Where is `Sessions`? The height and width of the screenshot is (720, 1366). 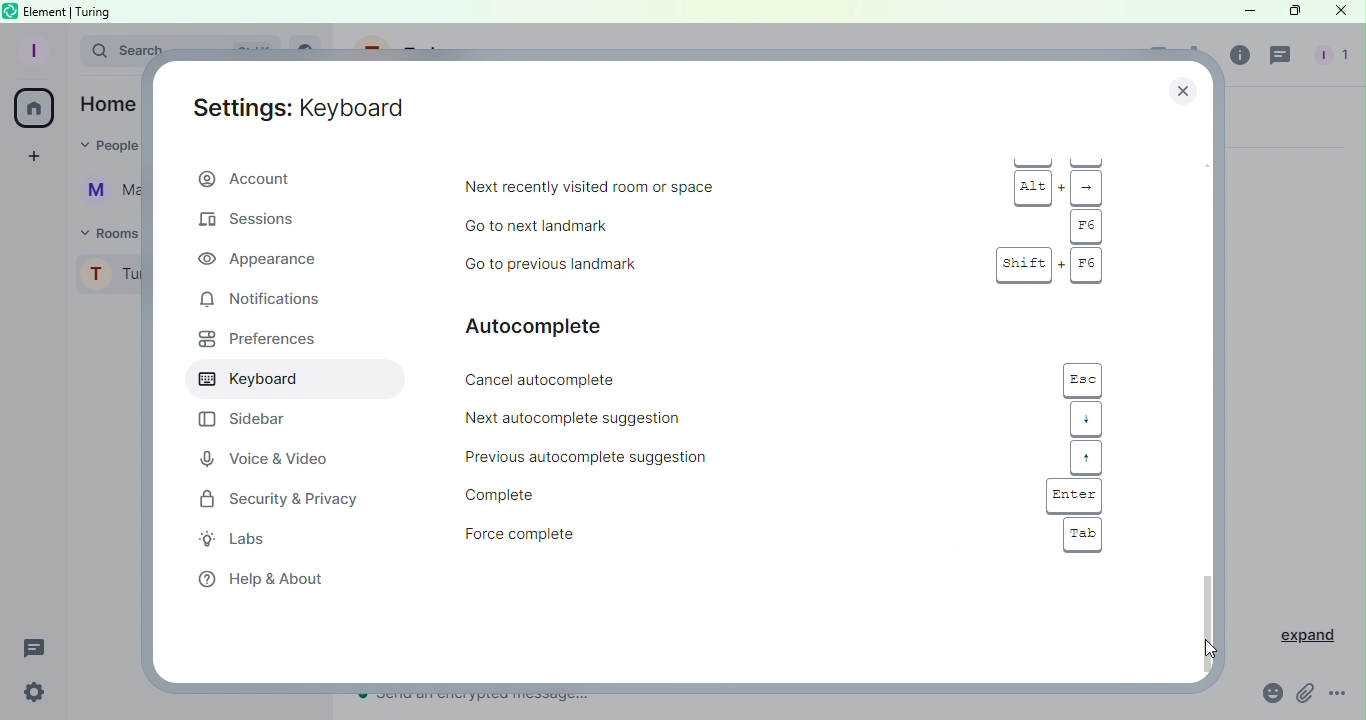 Sessions is located at coordinates (258, 223).